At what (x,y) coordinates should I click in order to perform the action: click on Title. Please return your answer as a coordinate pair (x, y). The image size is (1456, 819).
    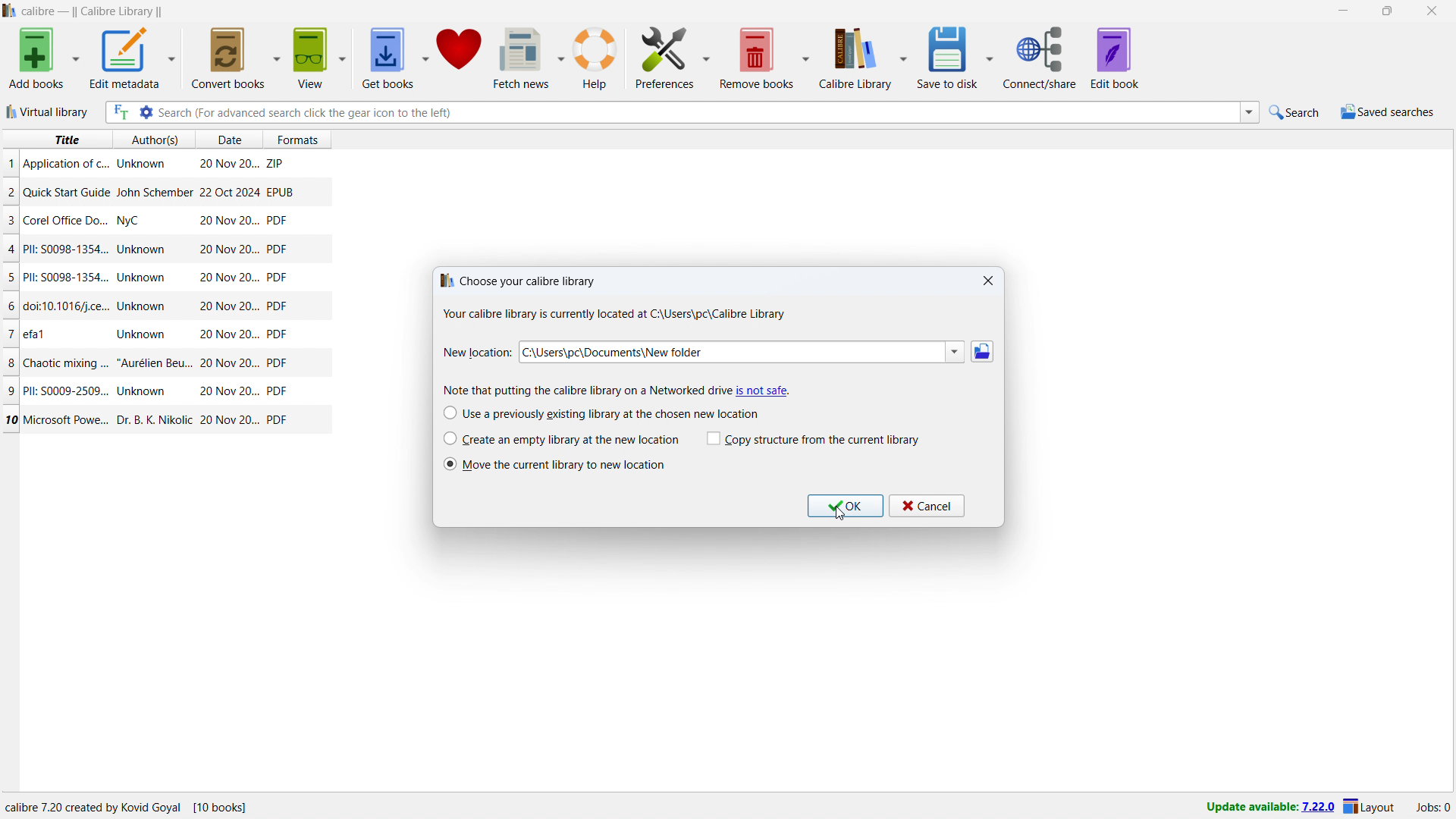
    Looking at the image, I should click on (66, 249).